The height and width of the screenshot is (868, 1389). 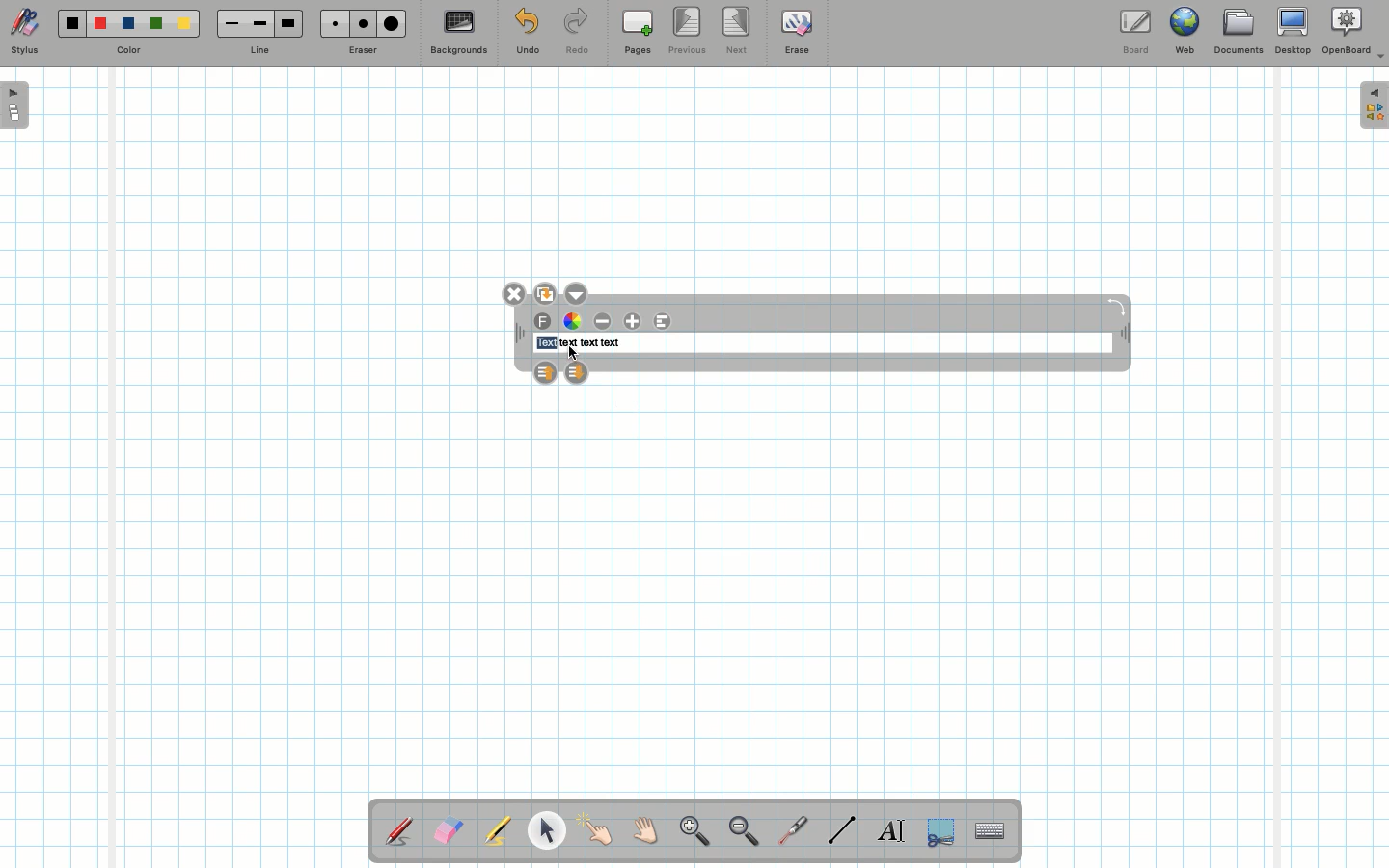 What do you see at coordinates (1134, 32) in the screenshot?
I see `Board` at bounding box center [1134, 32].